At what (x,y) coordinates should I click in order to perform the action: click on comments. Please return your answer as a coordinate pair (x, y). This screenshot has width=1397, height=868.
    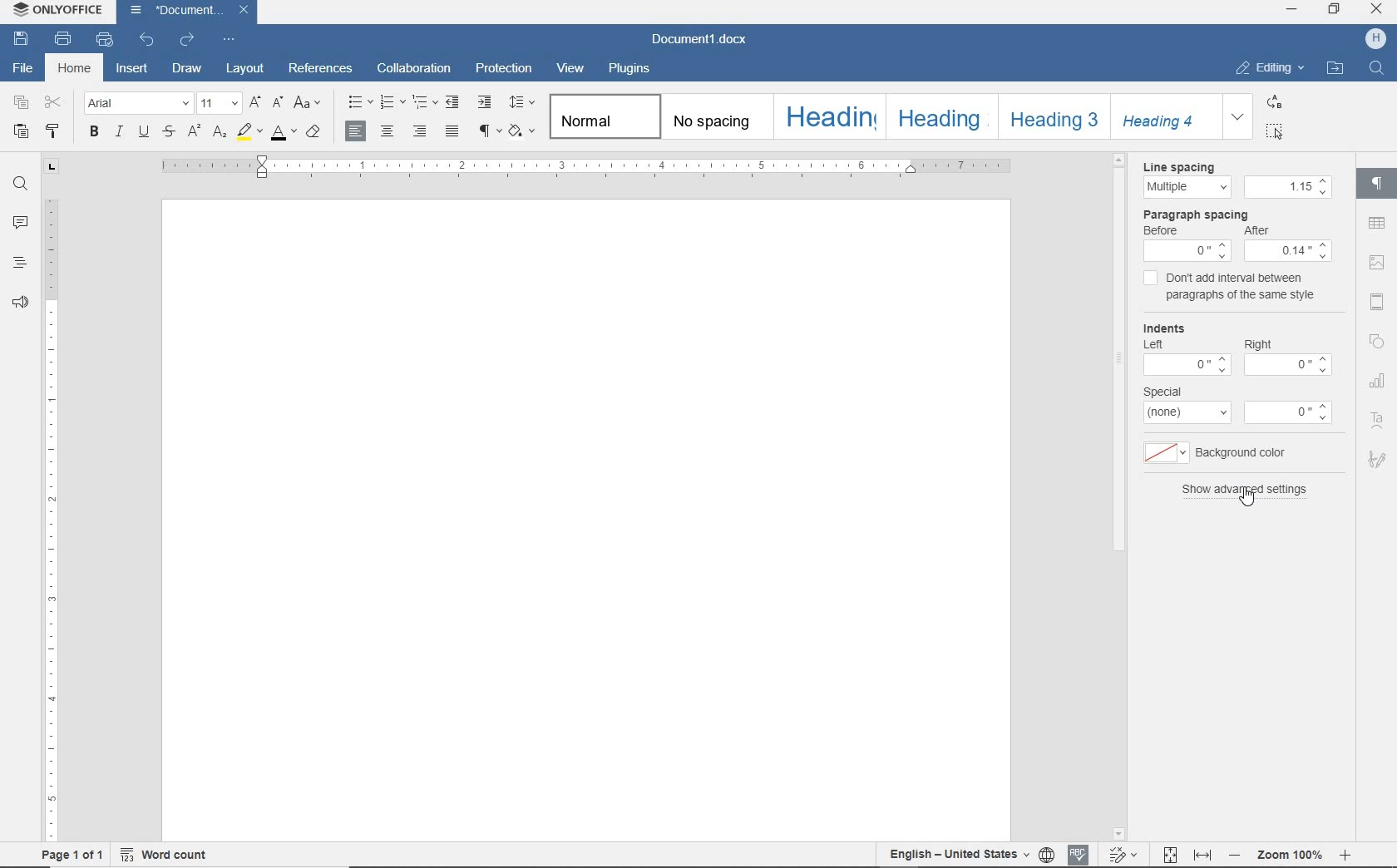
    Looking at the image, I should click on (20, 224).